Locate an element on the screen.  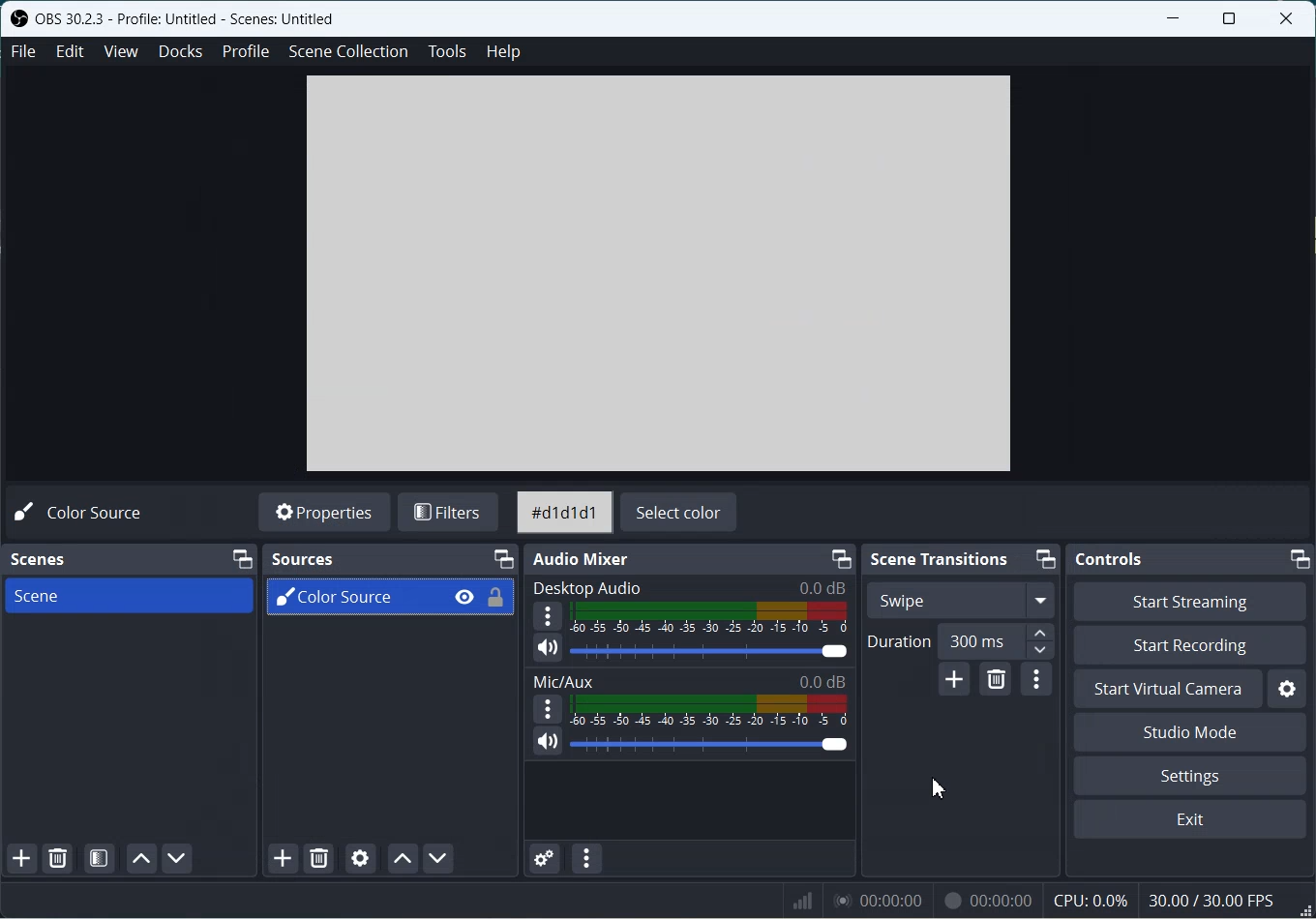
Properties is located at coordinates (325, 511).